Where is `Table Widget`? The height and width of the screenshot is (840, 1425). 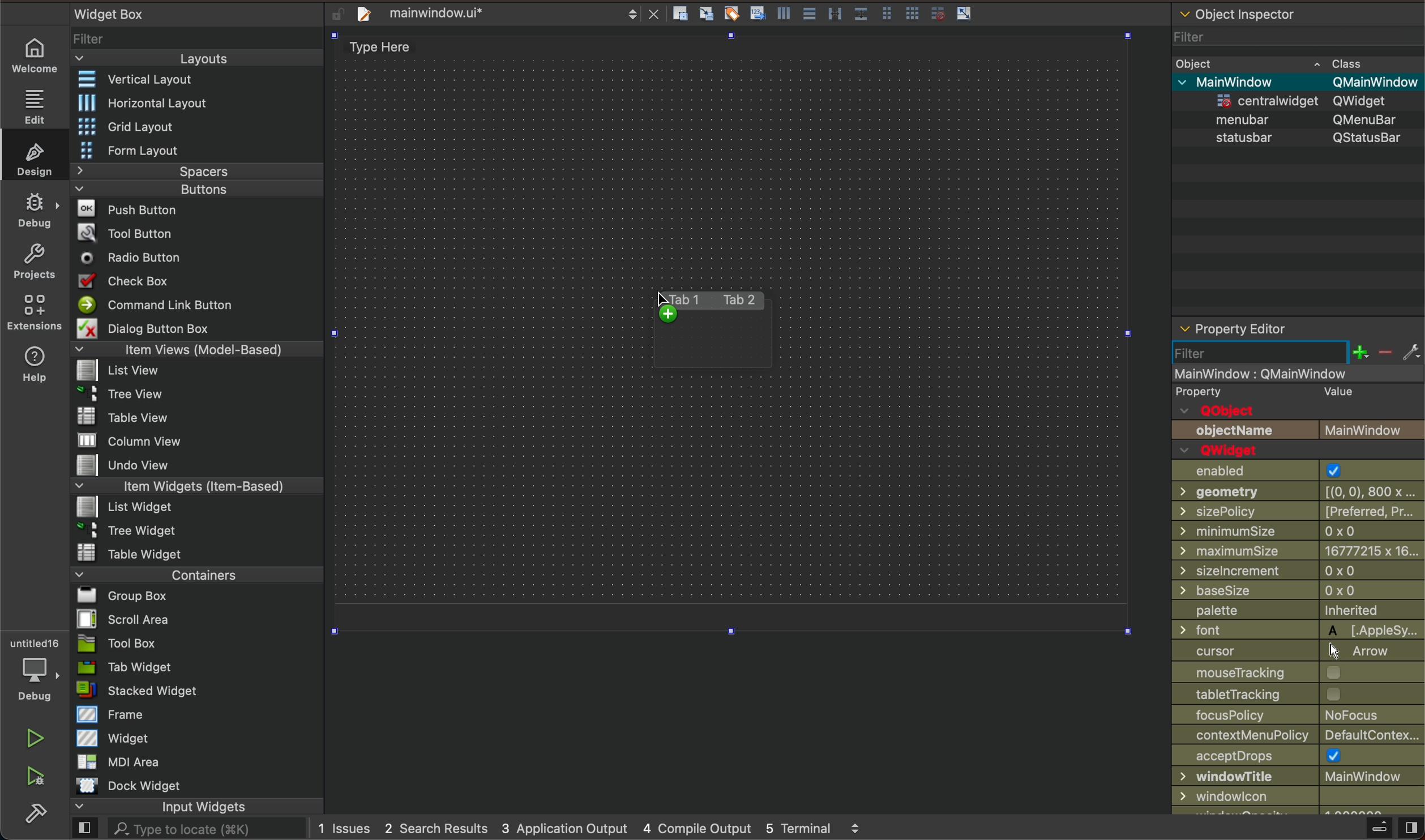
Table Widget is located at coordinates (123, 552).